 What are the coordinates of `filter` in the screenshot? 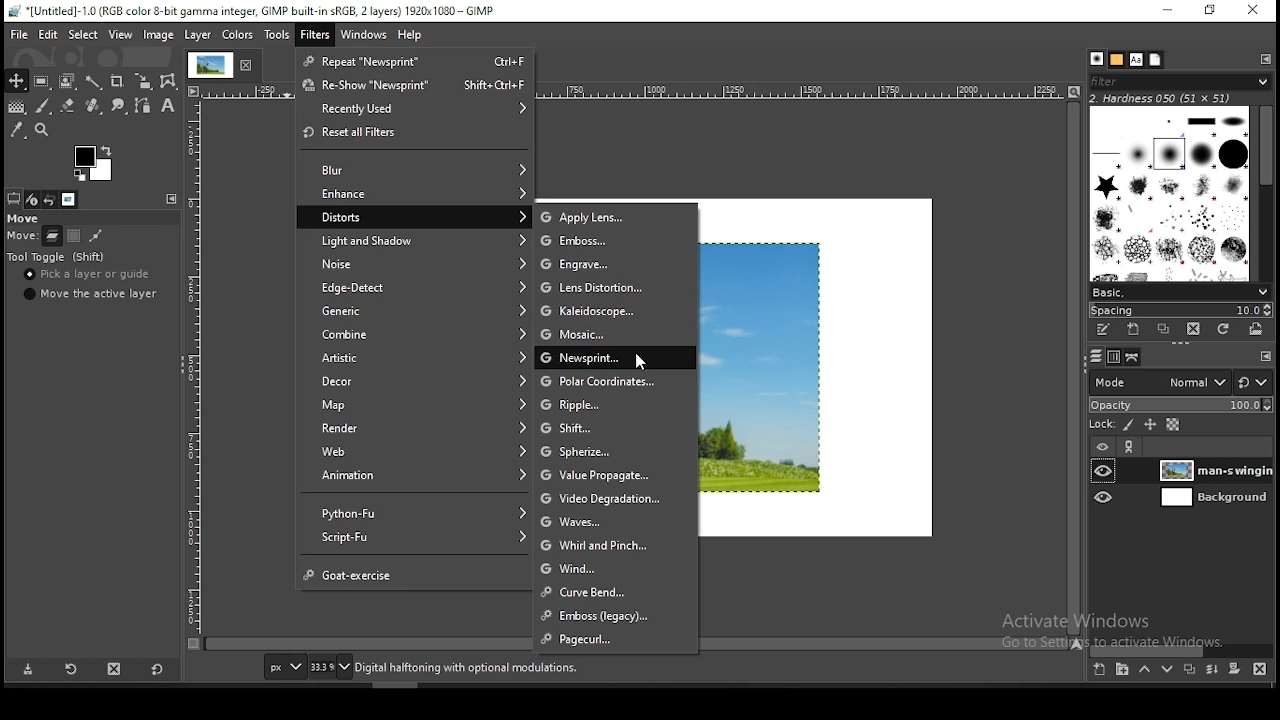 It's located at (314, 33).